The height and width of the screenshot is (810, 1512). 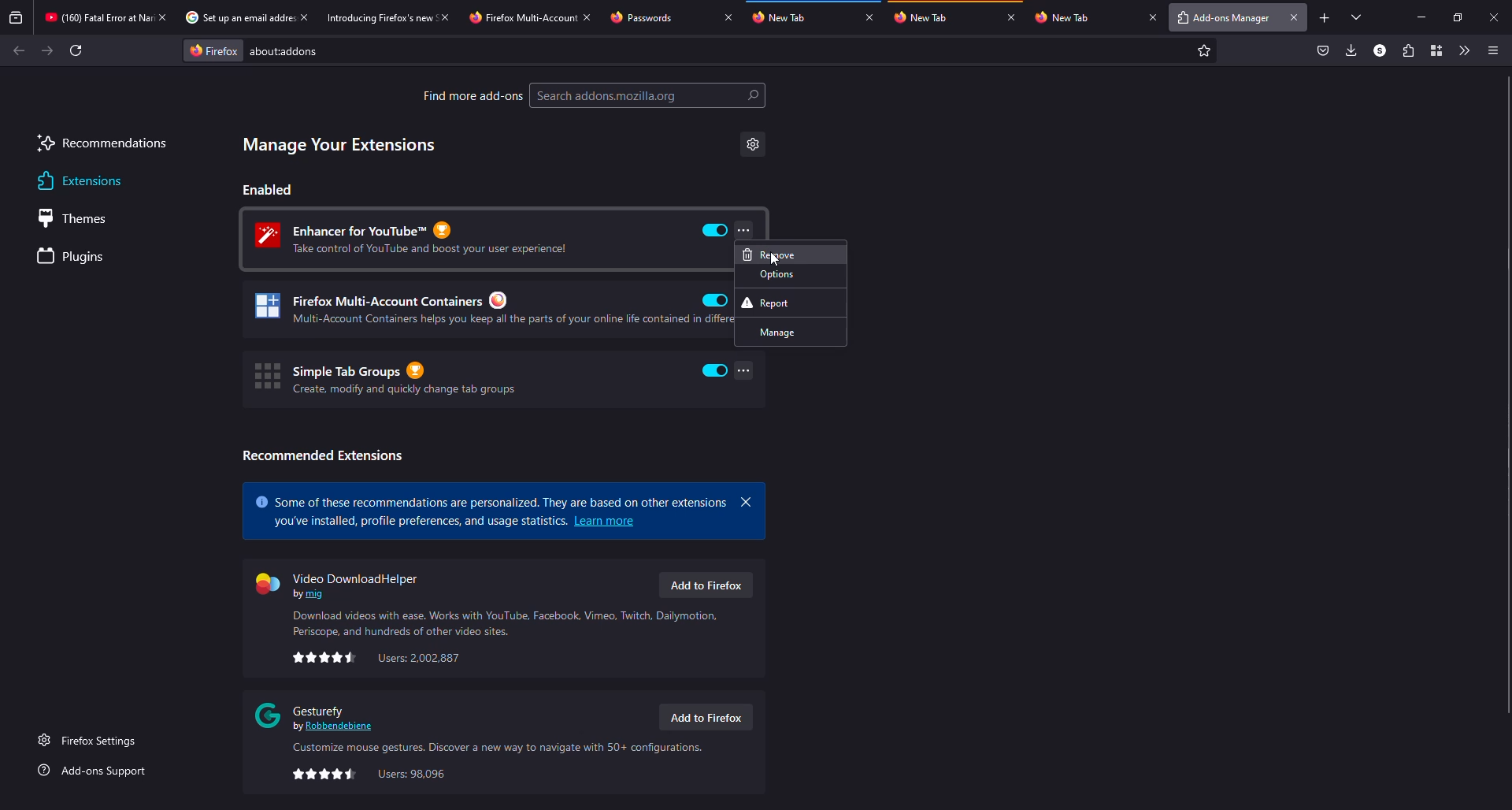 What do you see at coordinates (1324, 50) in the screenshot?
I see `save to packet` at bounding box center [1324, 50].